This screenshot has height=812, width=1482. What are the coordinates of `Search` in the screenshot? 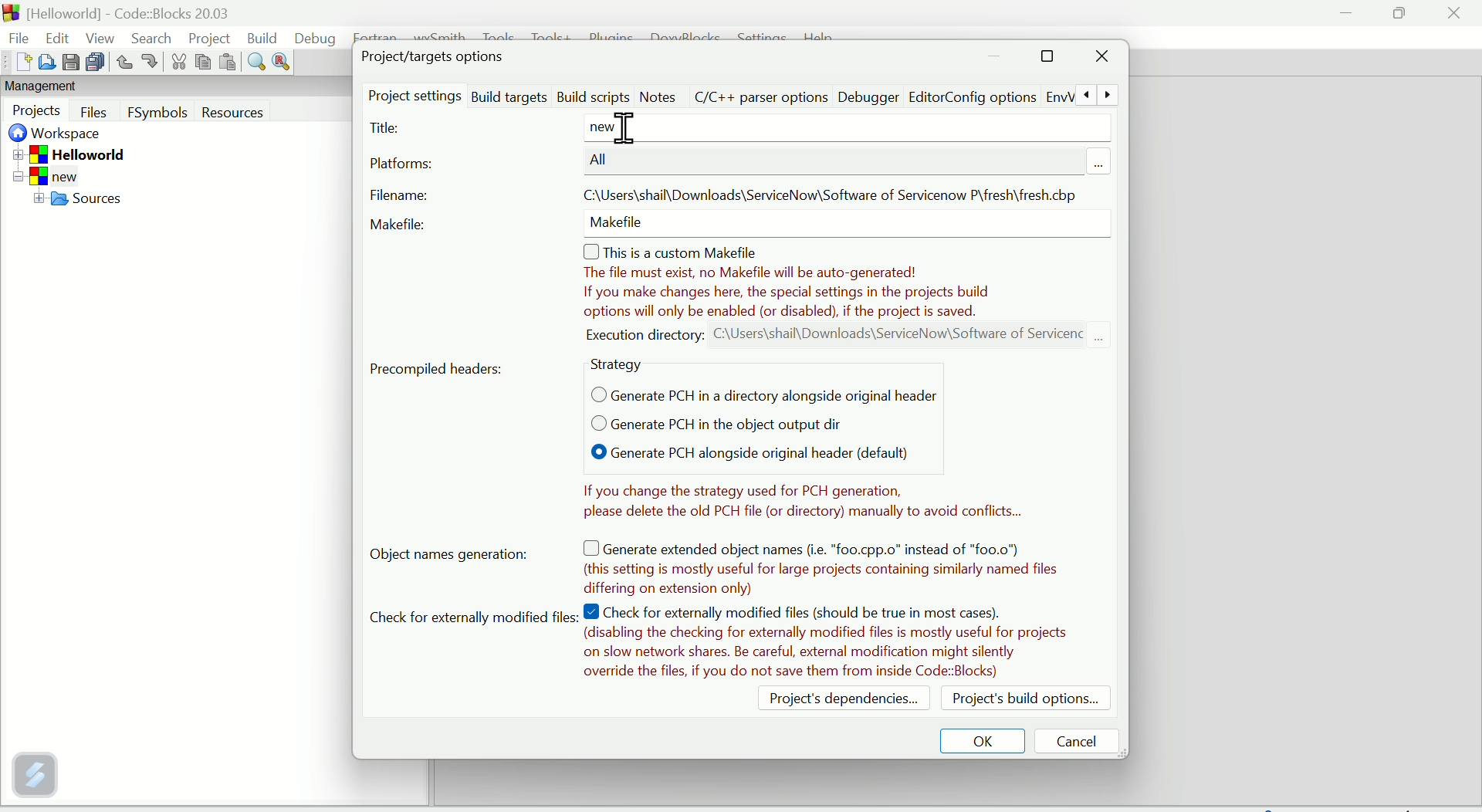 It's located at (151, 39).